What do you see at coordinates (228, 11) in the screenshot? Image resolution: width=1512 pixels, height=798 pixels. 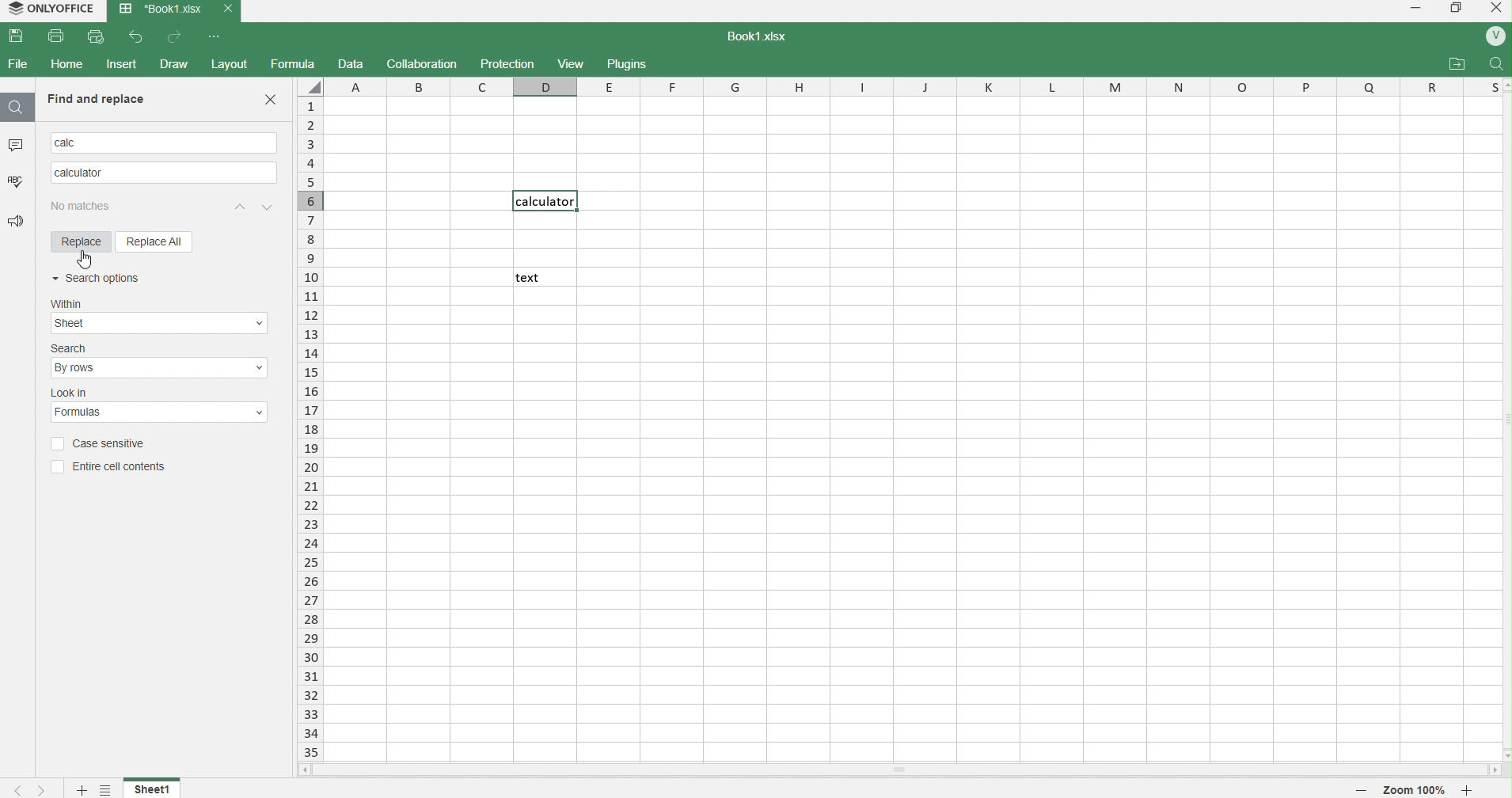 I see `close tab` at bounding box center [228, 11].